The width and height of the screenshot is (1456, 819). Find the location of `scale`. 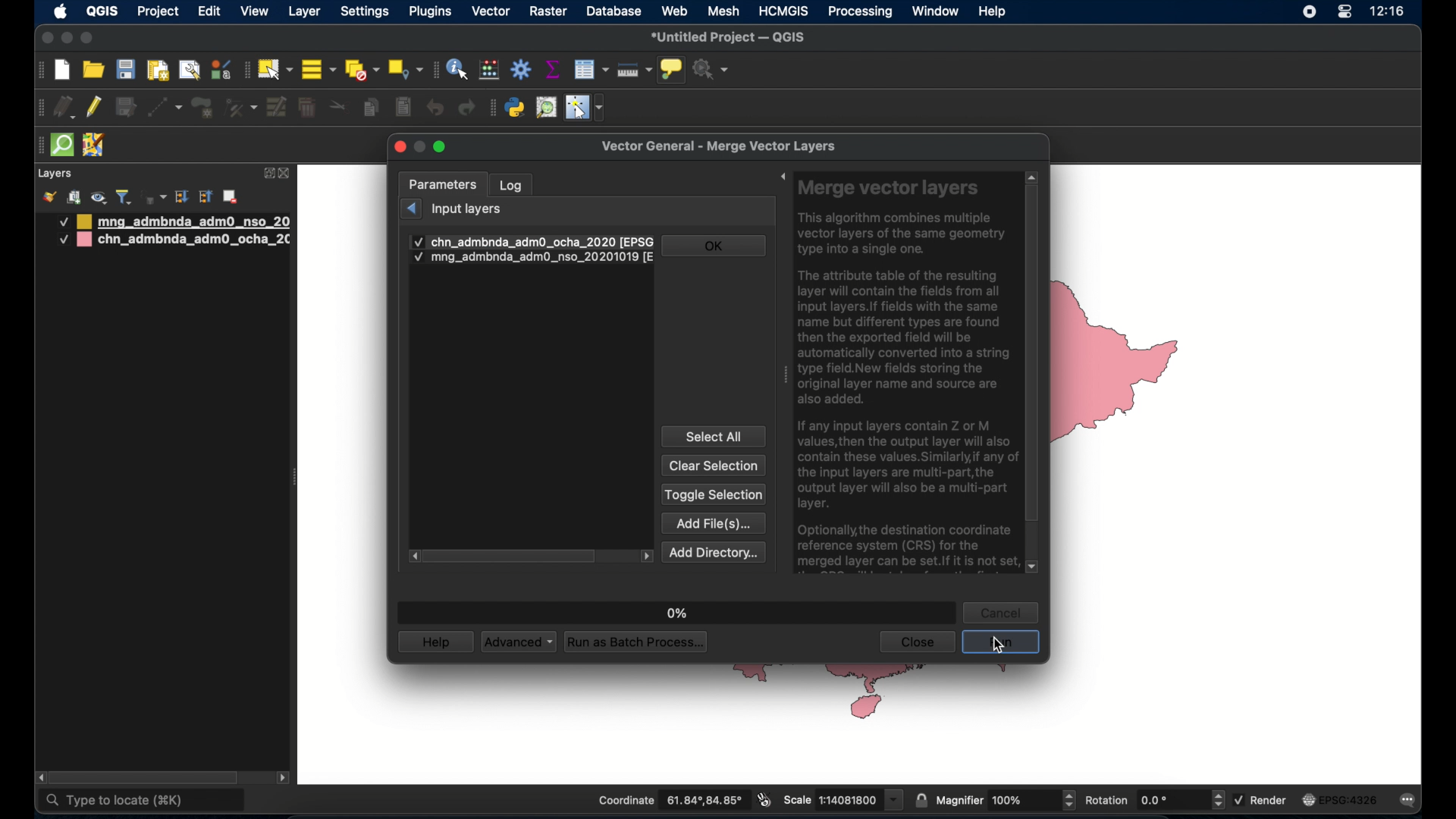

scale is located at coordinates (842, 799).